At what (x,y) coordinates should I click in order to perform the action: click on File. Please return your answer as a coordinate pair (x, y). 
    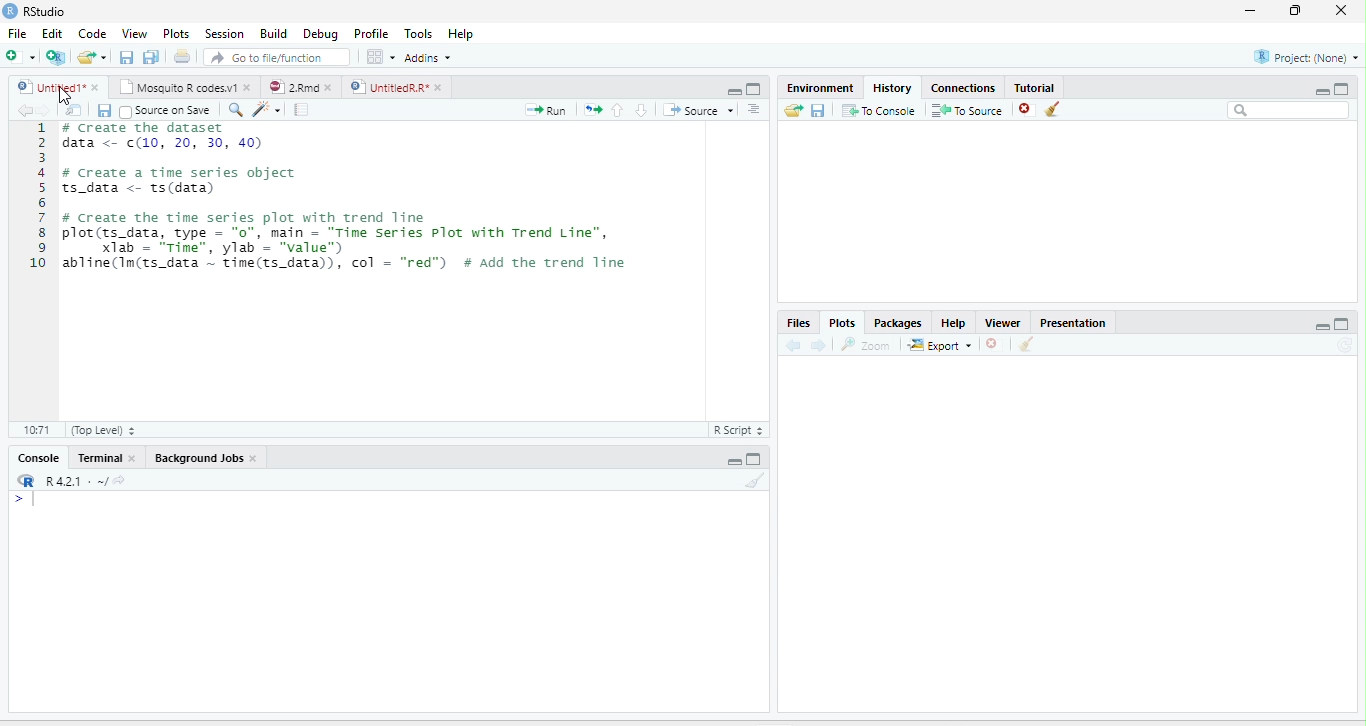
    Looking at the image, I should click on (18, 33).